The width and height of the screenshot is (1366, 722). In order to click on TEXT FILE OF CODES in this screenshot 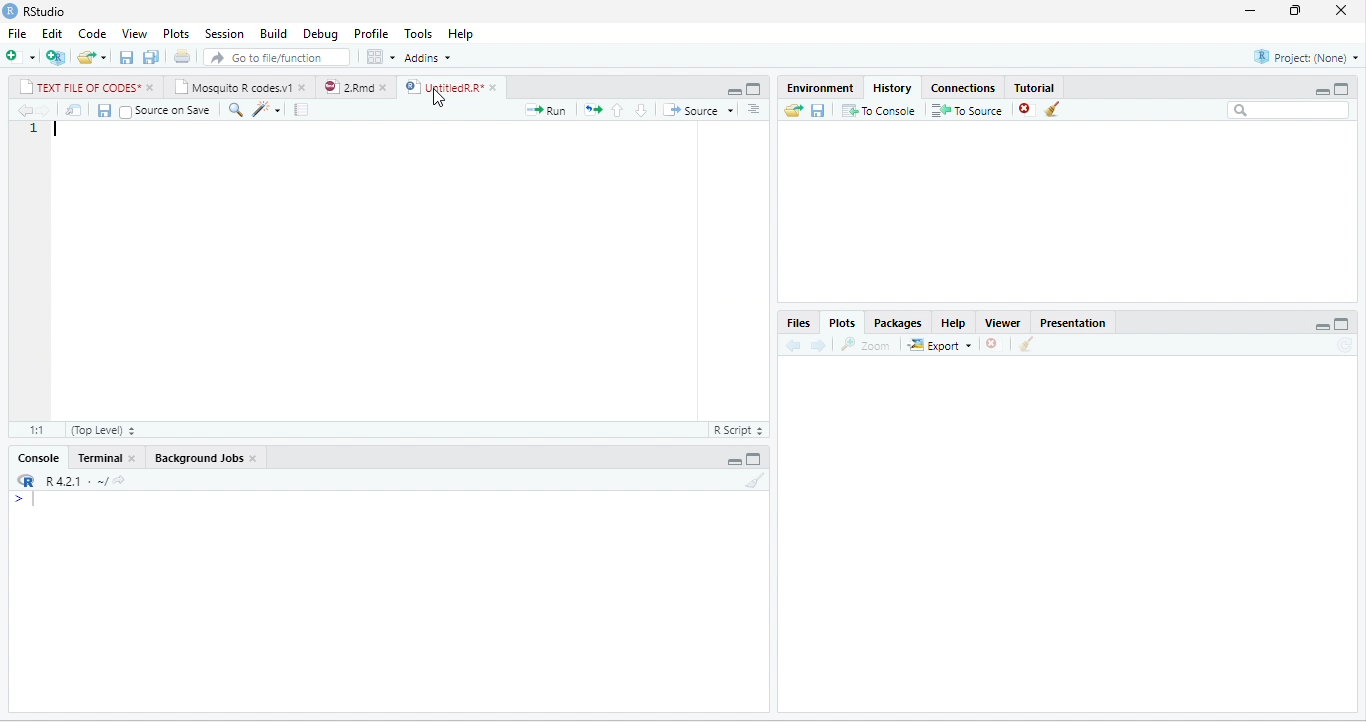, I will do `click(79, 86)`.